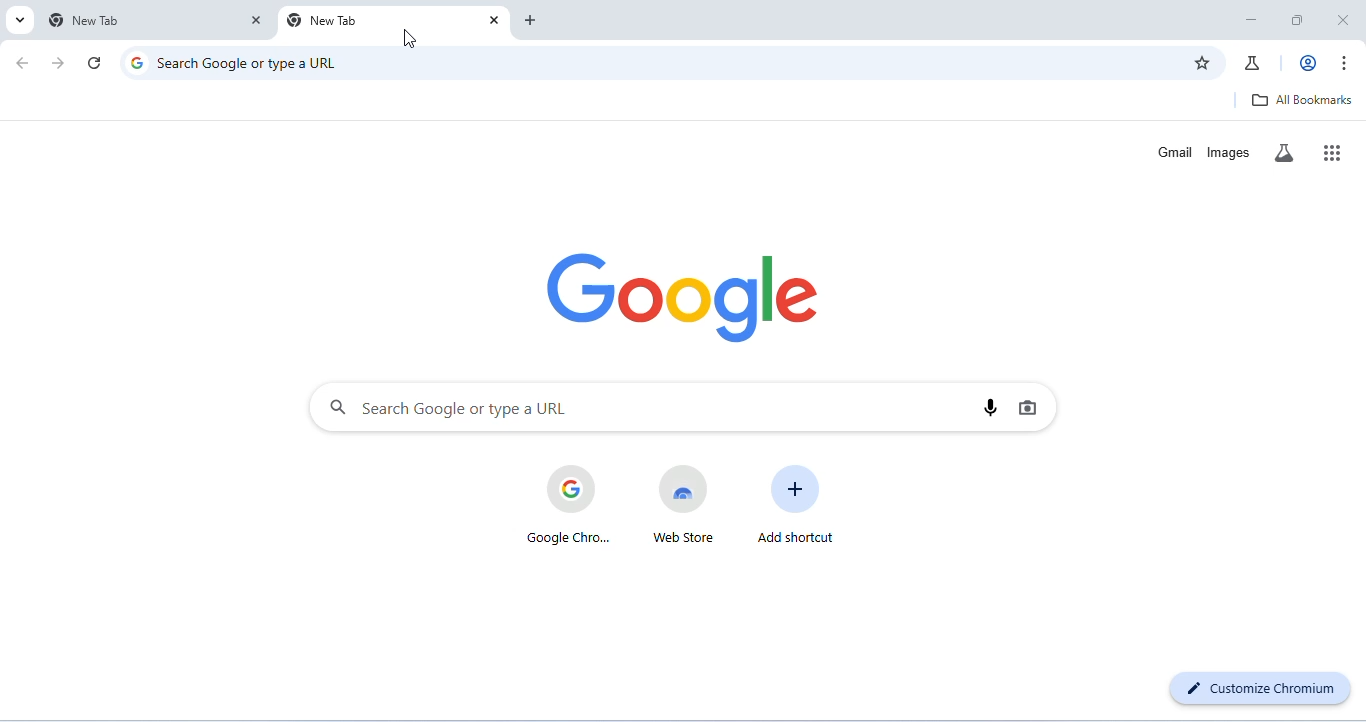 Image resolution: width=1366 pixels, height=722 pixels. Describe the element at coordinates (20, 19) in the screenshot. I see `search tabs` at that location.